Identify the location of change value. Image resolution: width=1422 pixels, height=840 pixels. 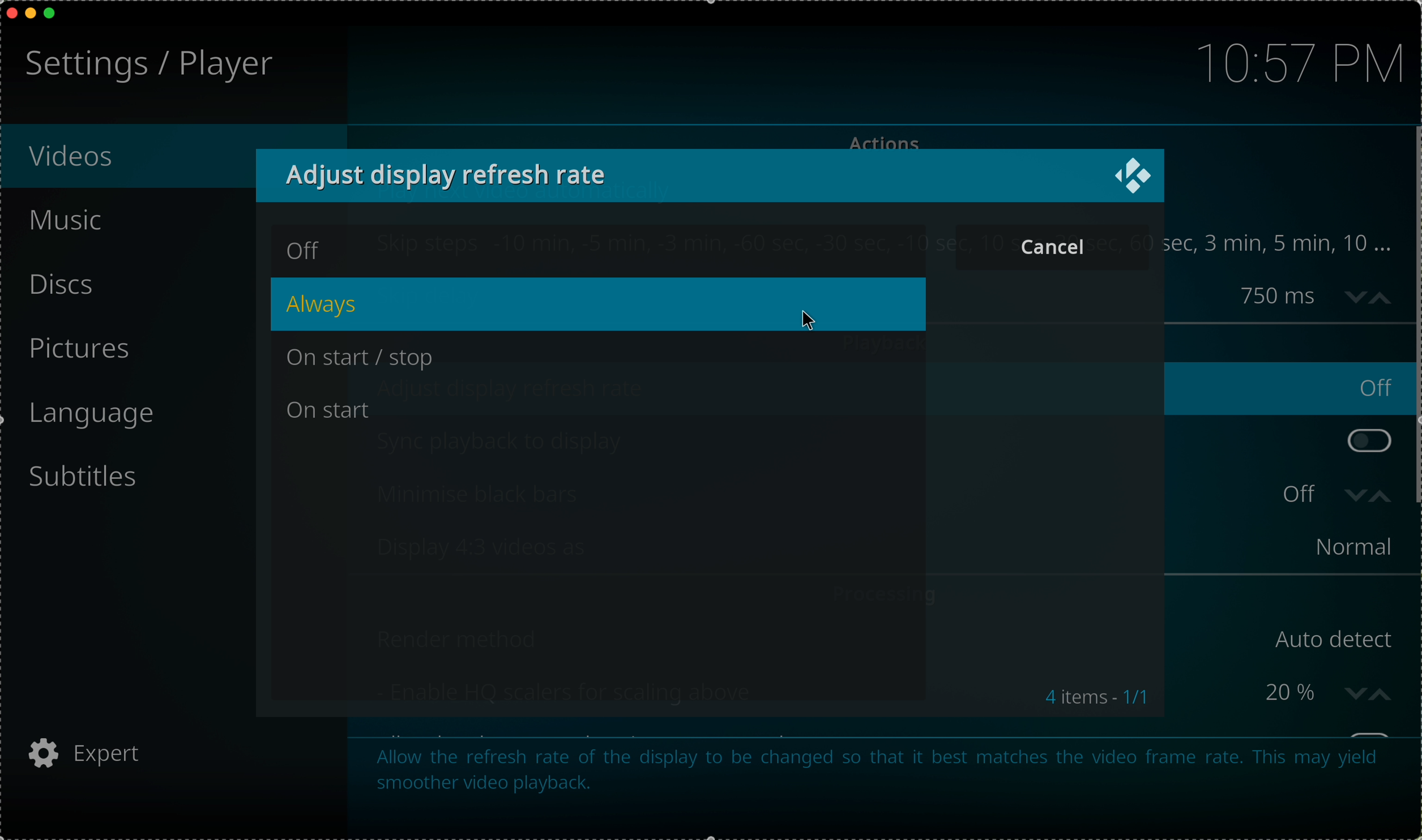
(1367, 296).